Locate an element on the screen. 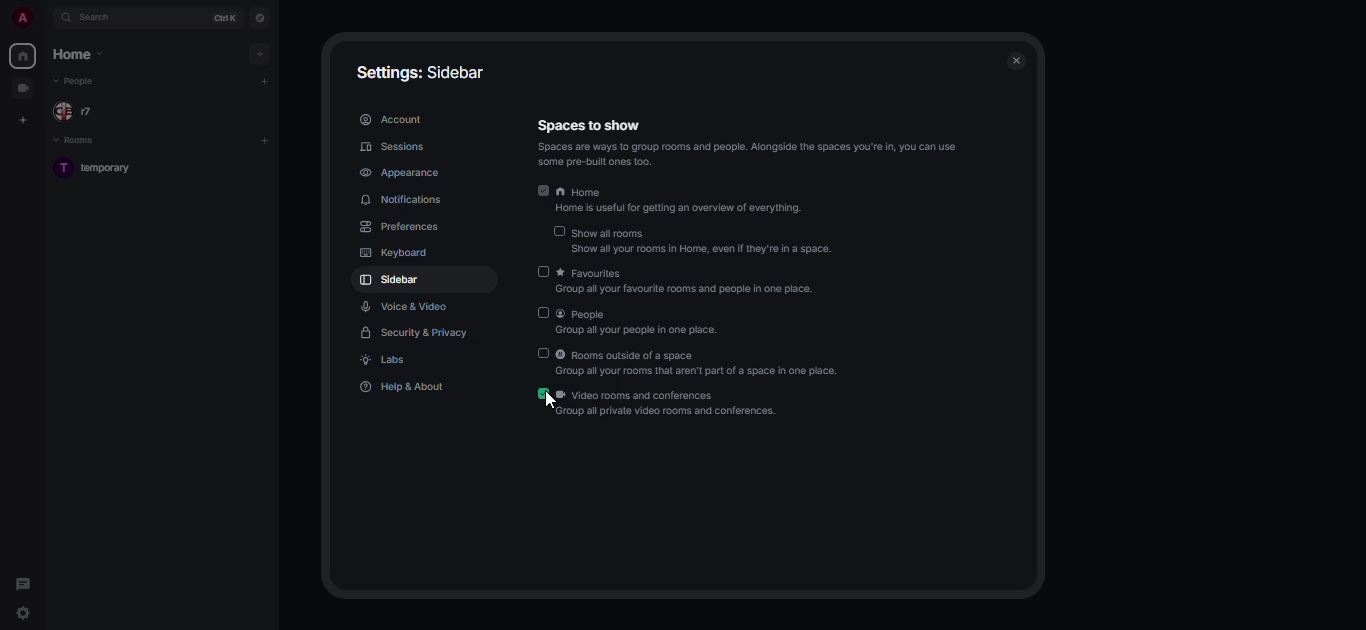  profile is located at coordinates (17, 16).